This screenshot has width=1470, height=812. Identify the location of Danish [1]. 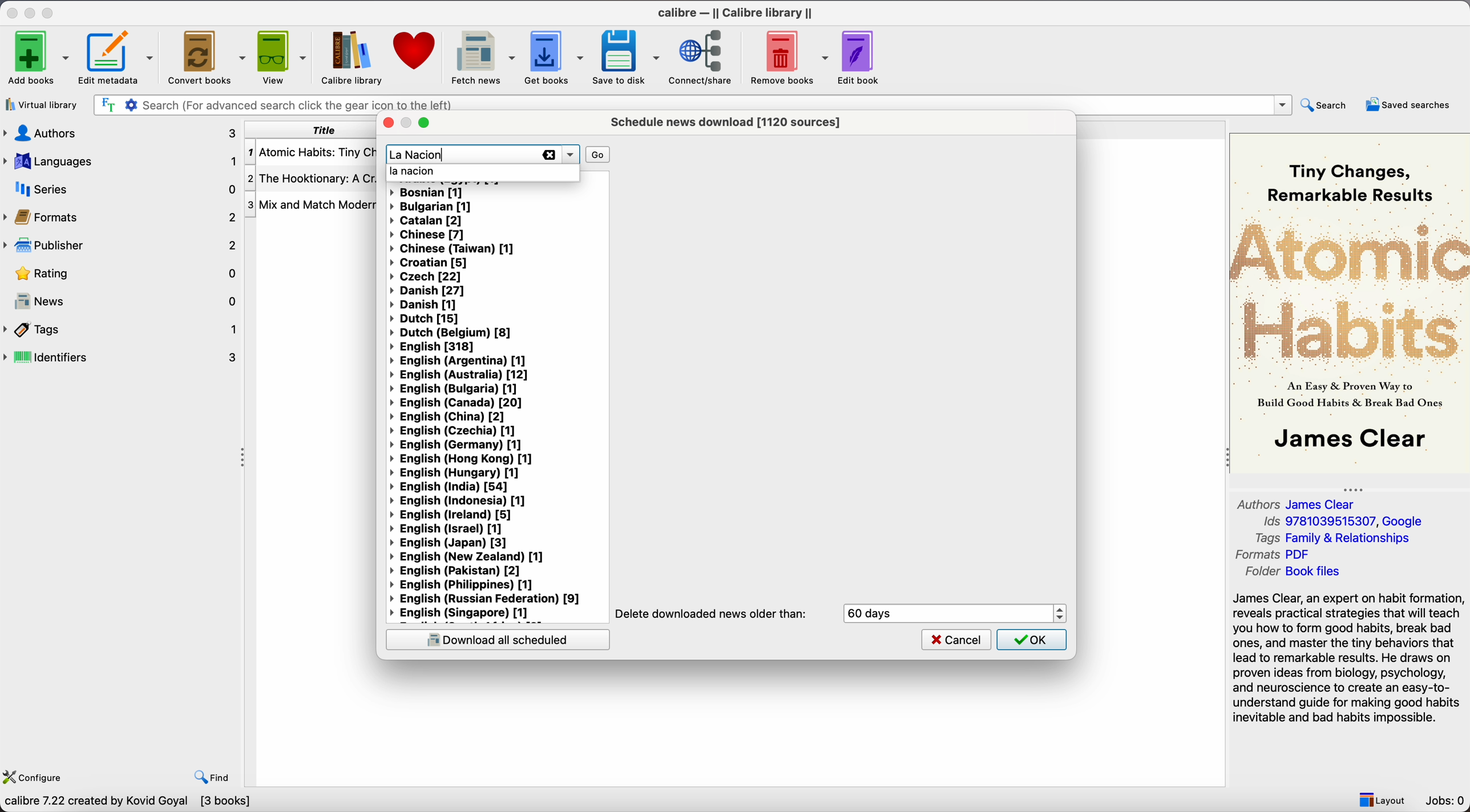
(422, 305).